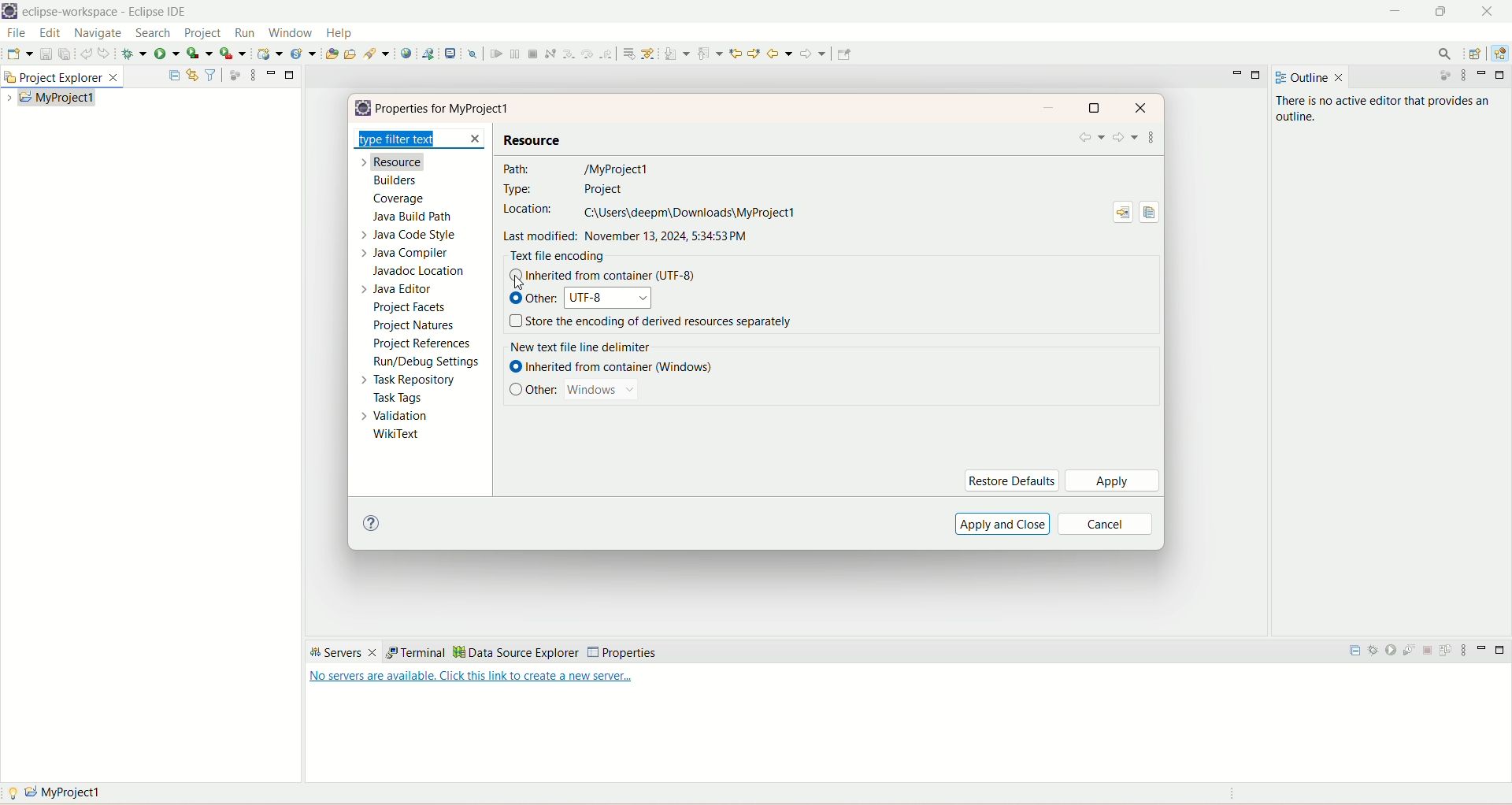 This screenshot has height=805, width=1512. Describe the element at coordinates (105, 53) in the screenshot. I see `redo` at that location.